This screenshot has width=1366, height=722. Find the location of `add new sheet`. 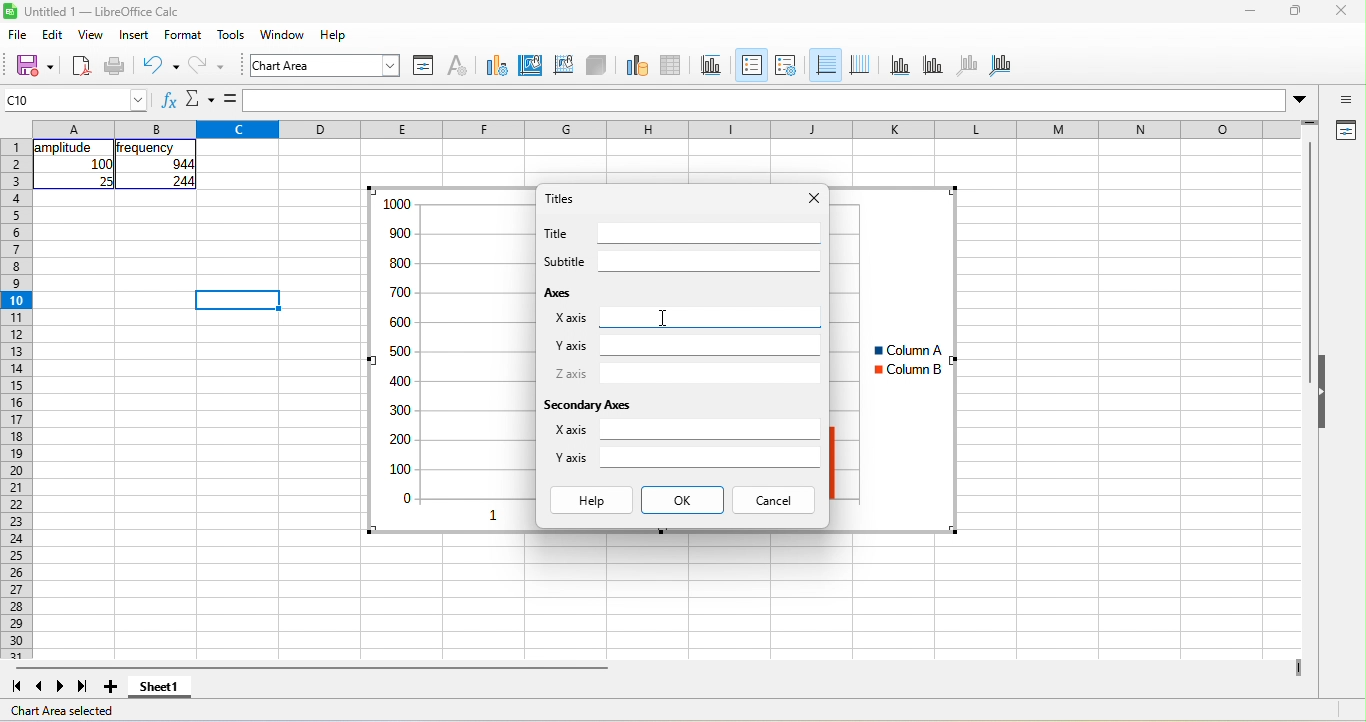

add new sheet is located at coordinates (110, 687).